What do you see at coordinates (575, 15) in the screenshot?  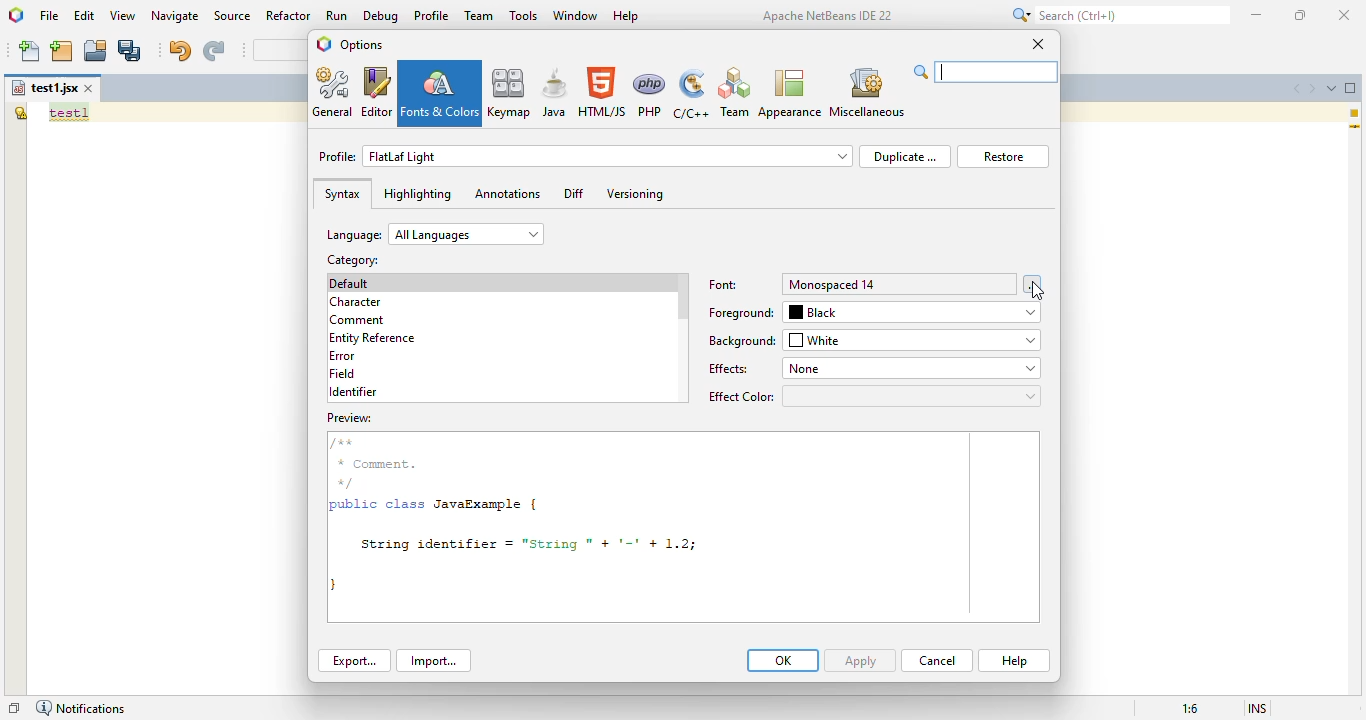 I see `window` at bounding box center [575, 15].